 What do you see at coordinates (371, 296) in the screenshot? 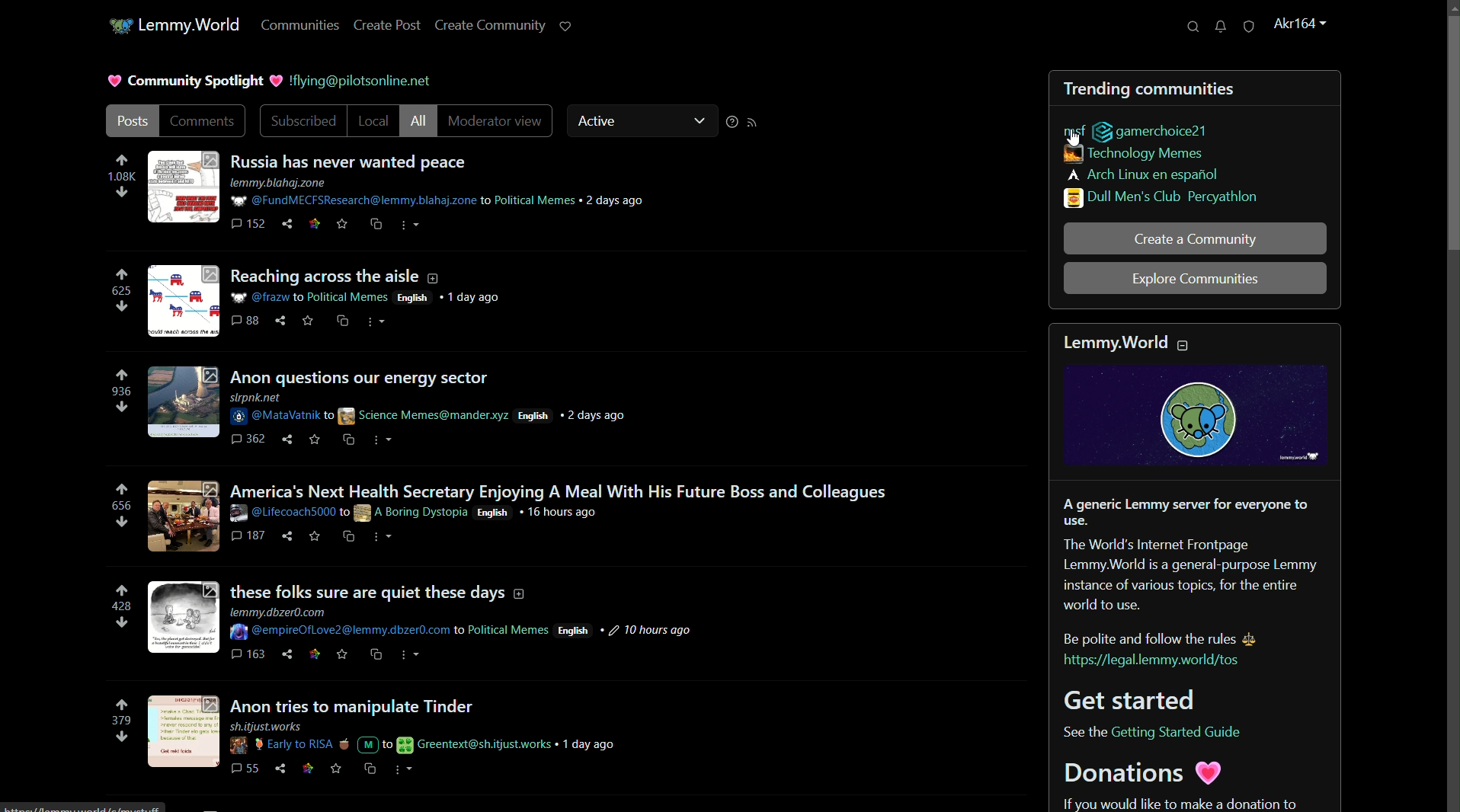
I see `post dteails` at bounding box center [371, 296].